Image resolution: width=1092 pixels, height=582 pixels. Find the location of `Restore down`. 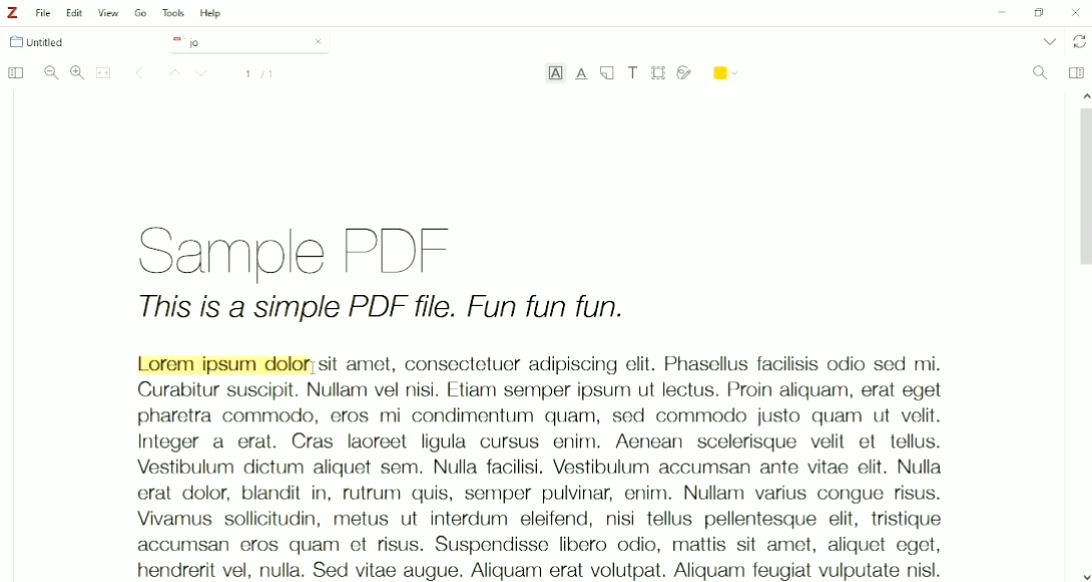

Restore down is located at coordinates (1038, 13).